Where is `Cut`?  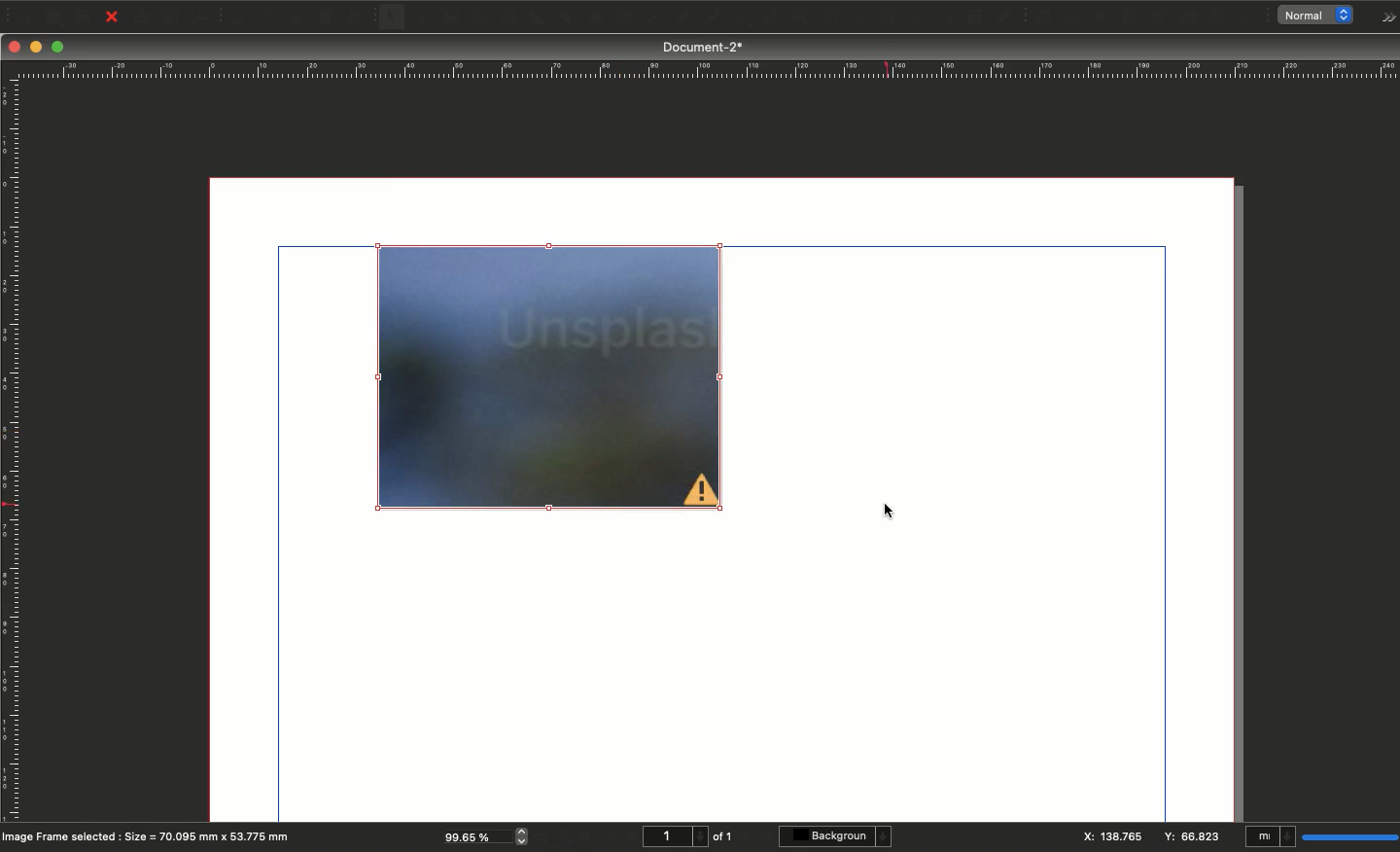 Cut is located at coordinates (296, 18).